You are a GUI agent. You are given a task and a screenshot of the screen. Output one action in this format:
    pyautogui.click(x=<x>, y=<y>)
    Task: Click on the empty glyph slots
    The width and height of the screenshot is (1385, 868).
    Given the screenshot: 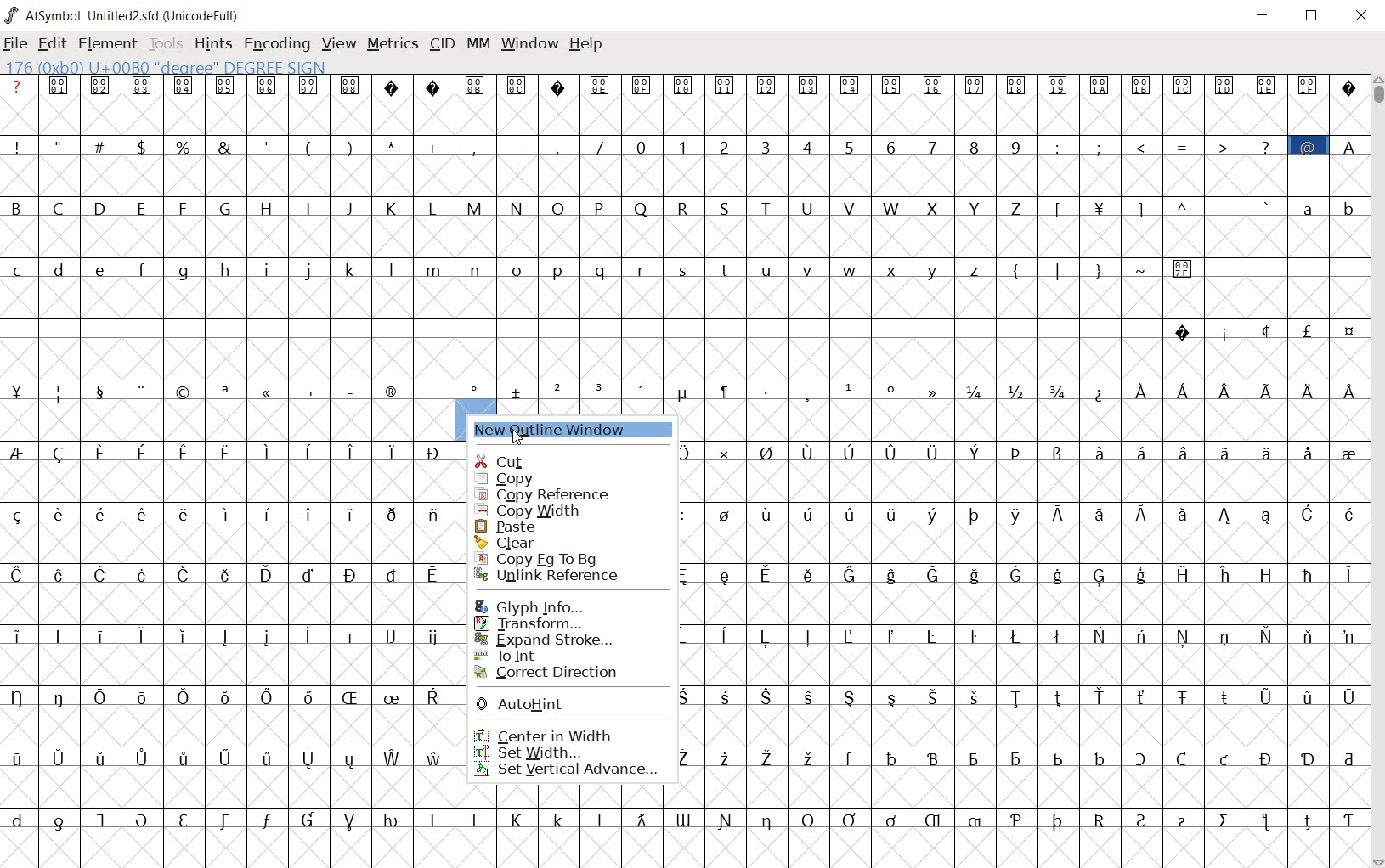 What is the action you would take?
    pyautogui.click(x=232, y=664)
    